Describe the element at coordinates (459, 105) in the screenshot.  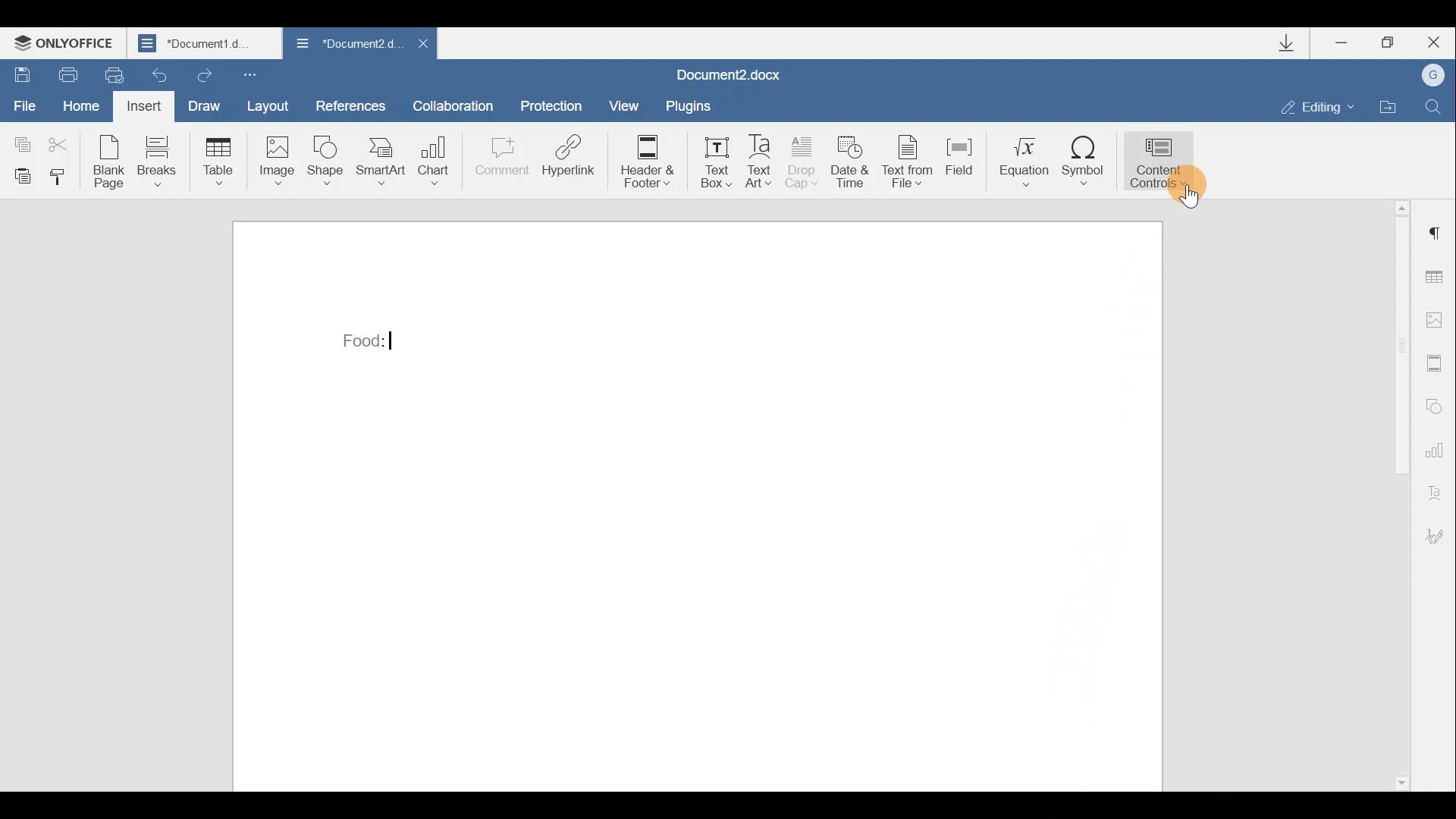
I see `Collaboration` at that location.